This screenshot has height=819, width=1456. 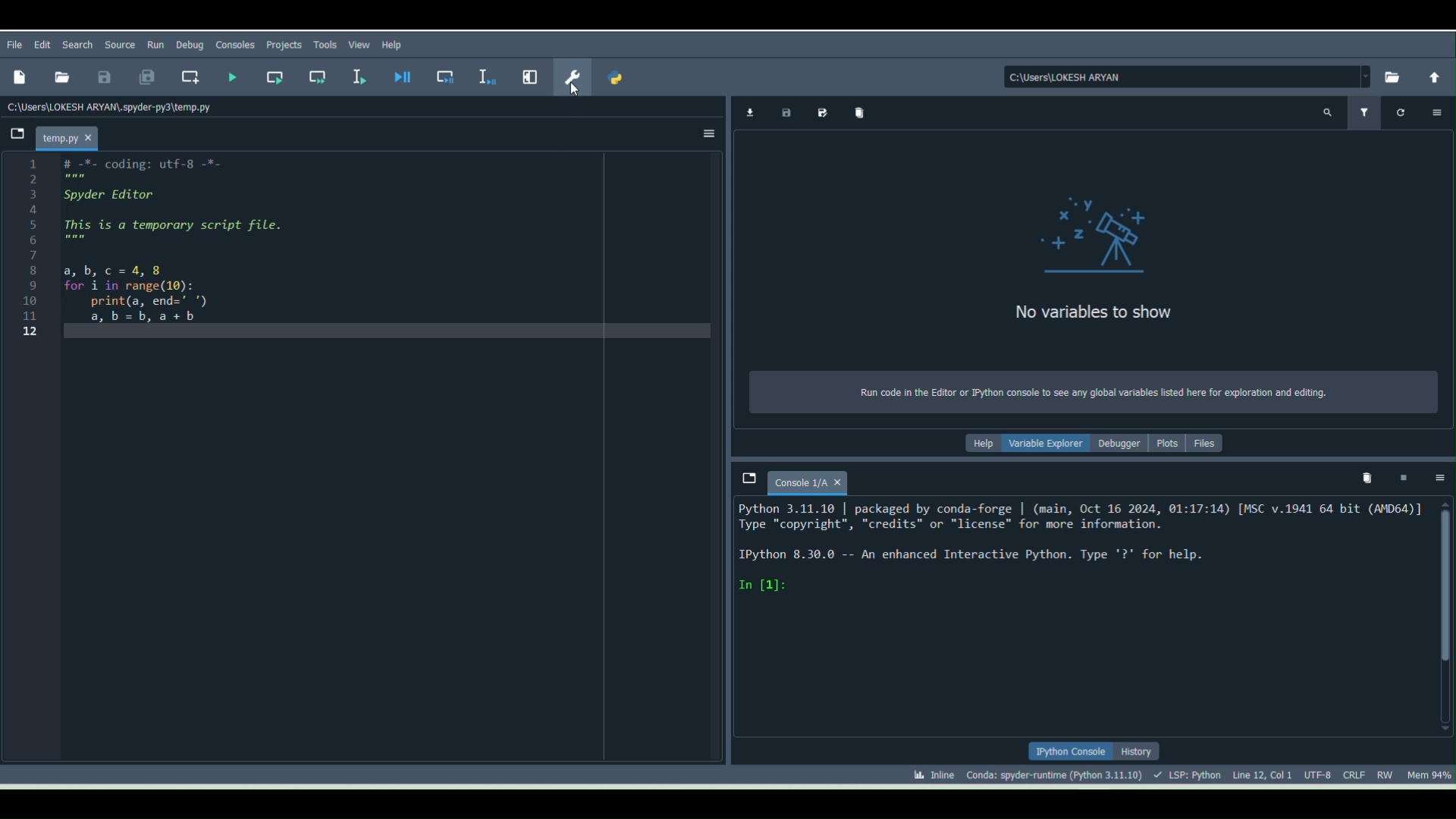 I want to click on Preferences, so click(x=572, y=71).